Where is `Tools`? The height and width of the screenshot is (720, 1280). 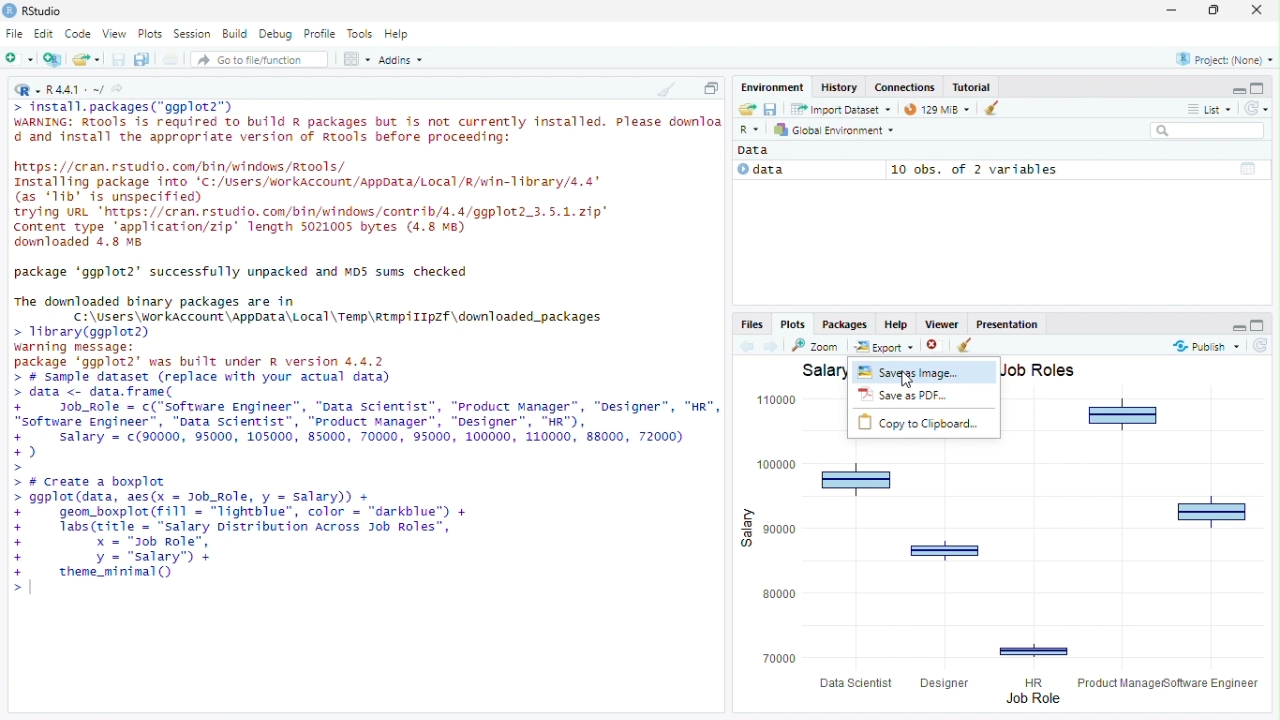
Tools is located at coordinates (359, 34).